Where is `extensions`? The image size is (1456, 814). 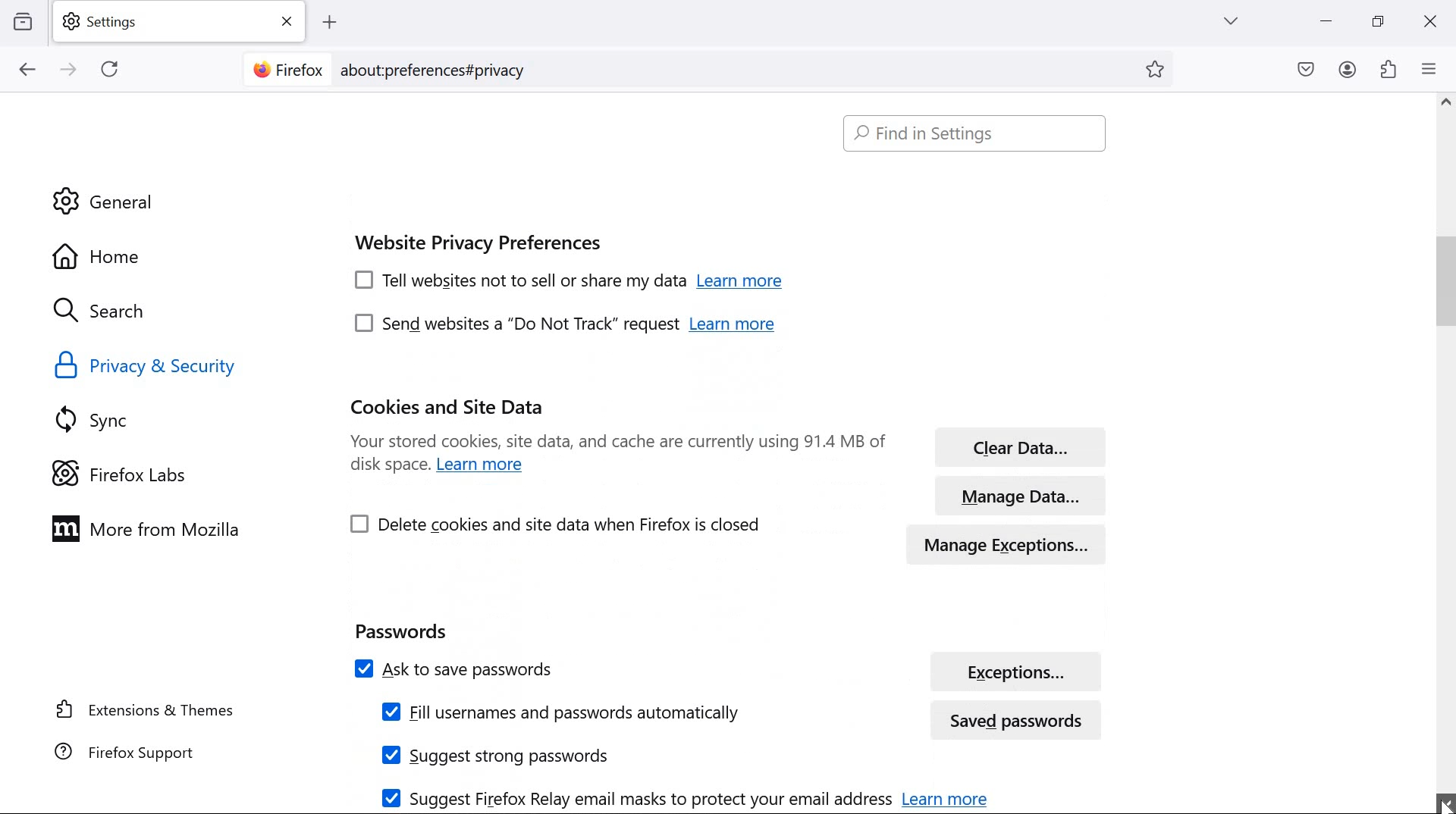
extensions is located at coordinates (1389, 68).